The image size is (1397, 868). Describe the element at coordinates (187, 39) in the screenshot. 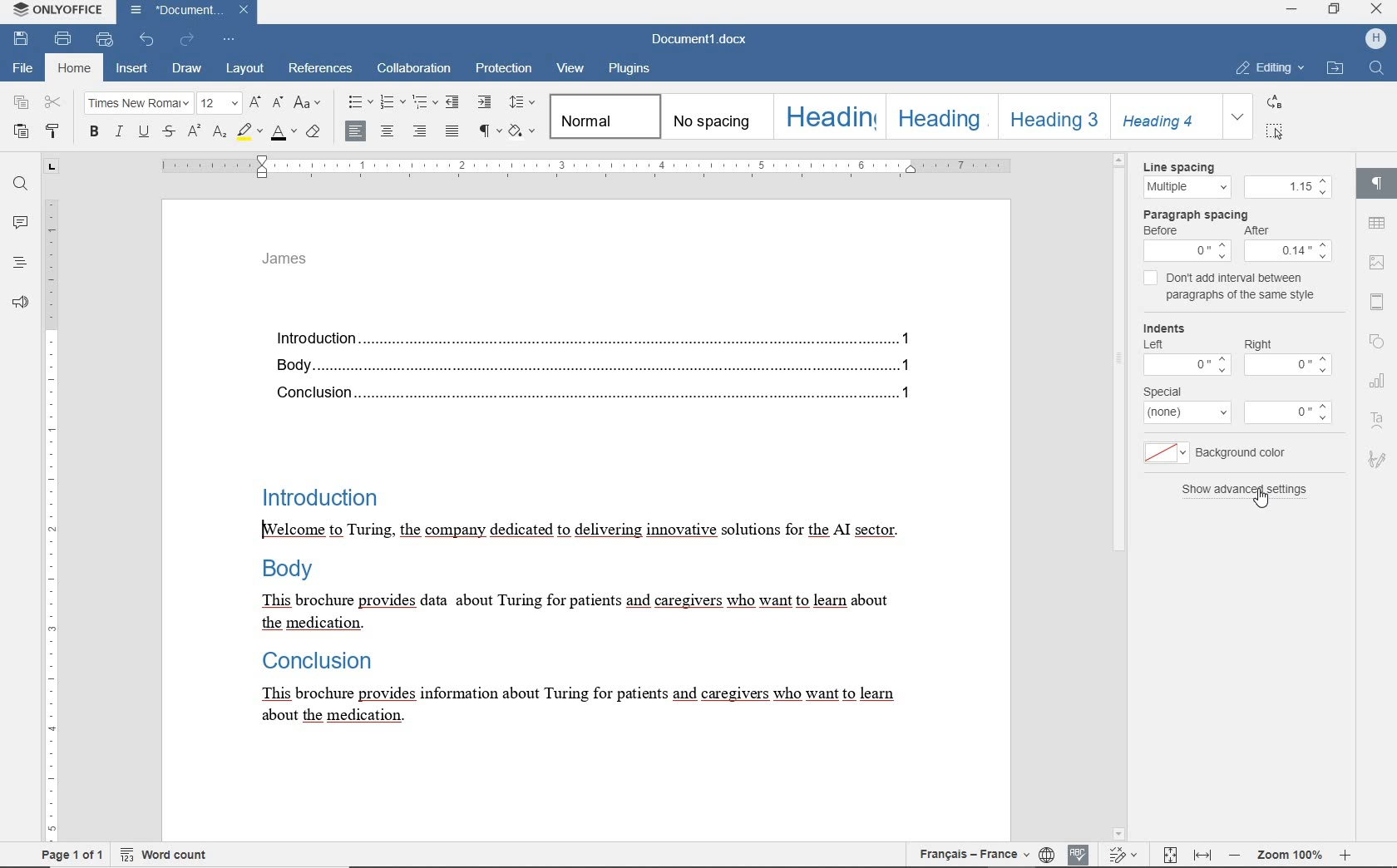

I see `redo` at that location.